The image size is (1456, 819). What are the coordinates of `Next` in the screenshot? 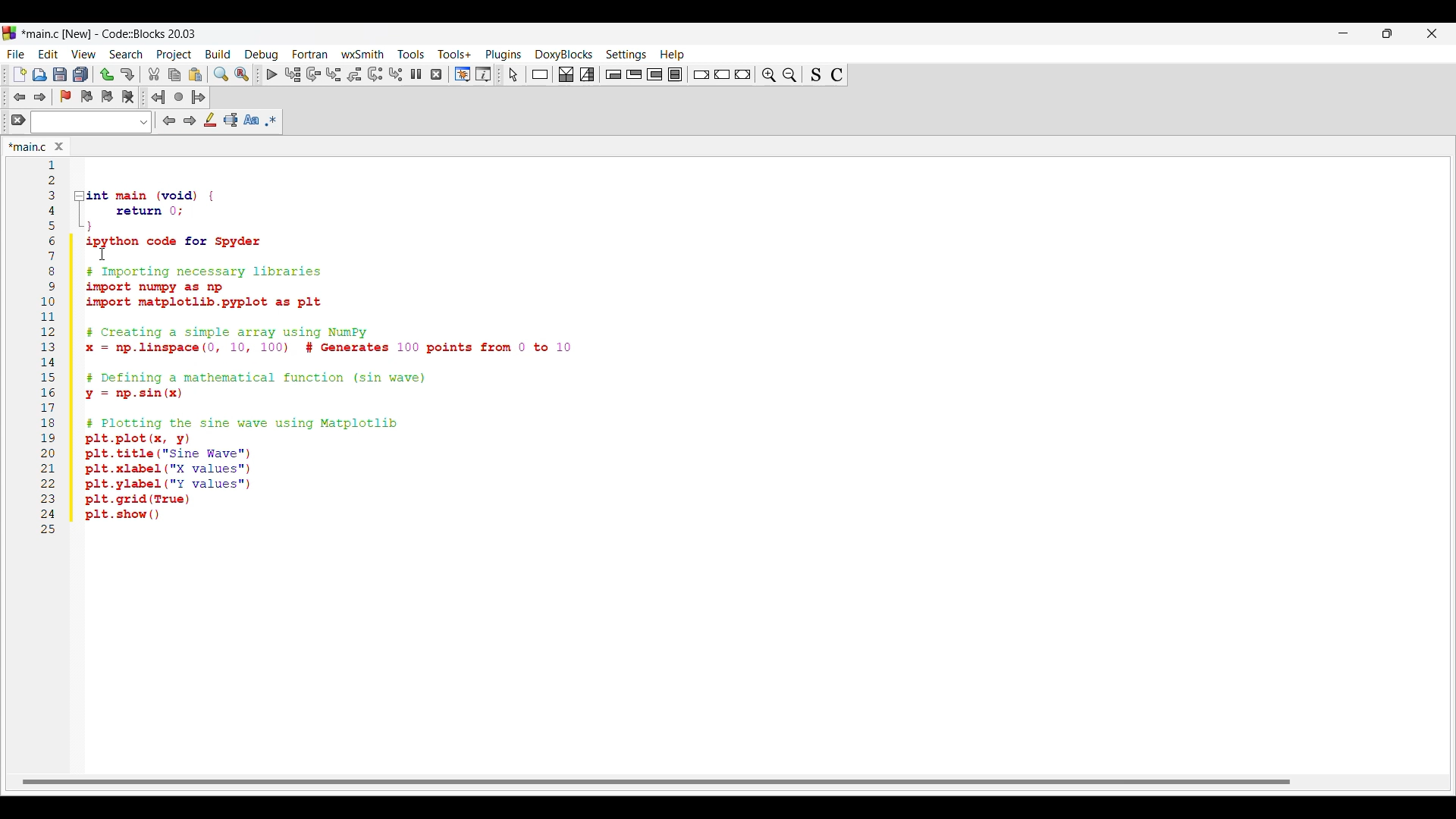 It's located at (190, 120).